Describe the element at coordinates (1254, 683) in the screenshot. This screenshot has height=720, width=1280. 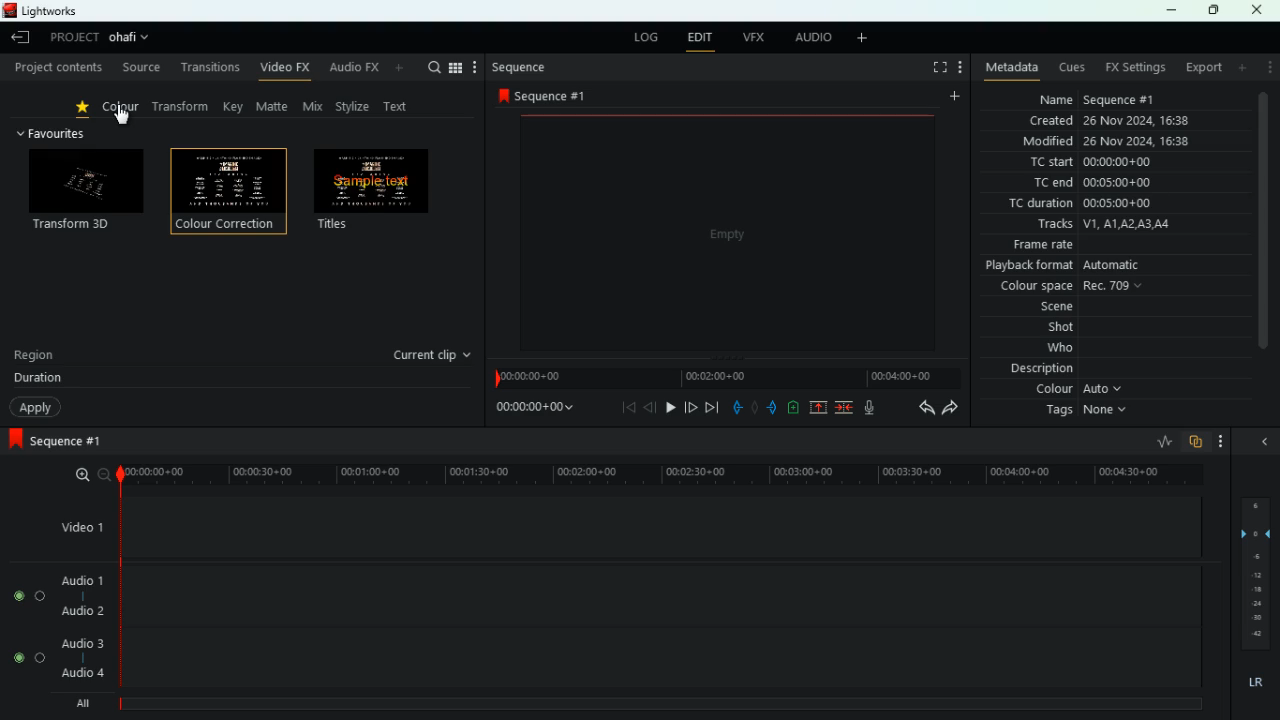
I see `LR` at that location.